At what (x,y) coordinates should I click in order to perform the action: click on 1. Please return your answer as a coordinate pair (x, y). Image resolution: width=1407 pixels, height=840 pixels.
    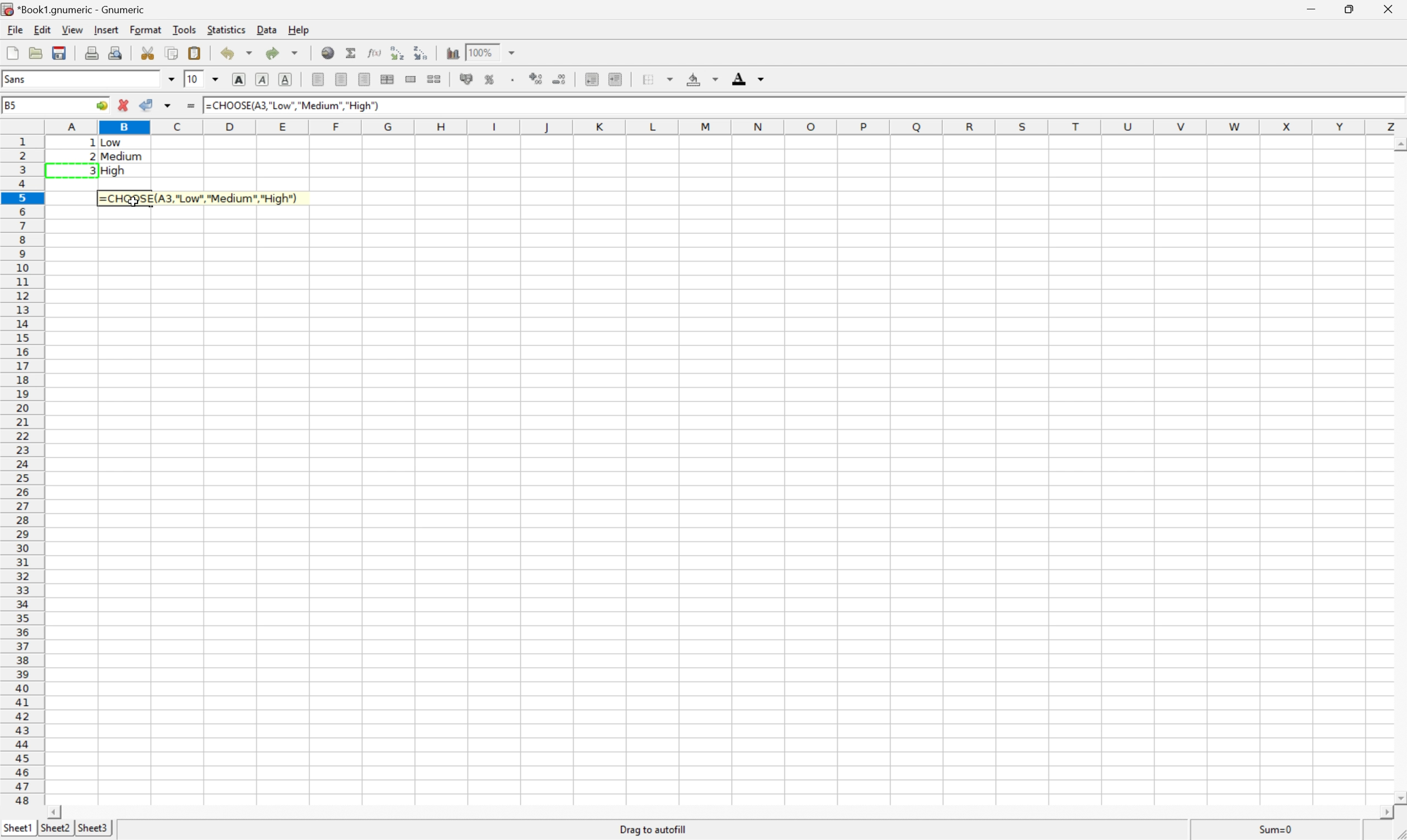
    Looking at the image, I should click on (94, 143).